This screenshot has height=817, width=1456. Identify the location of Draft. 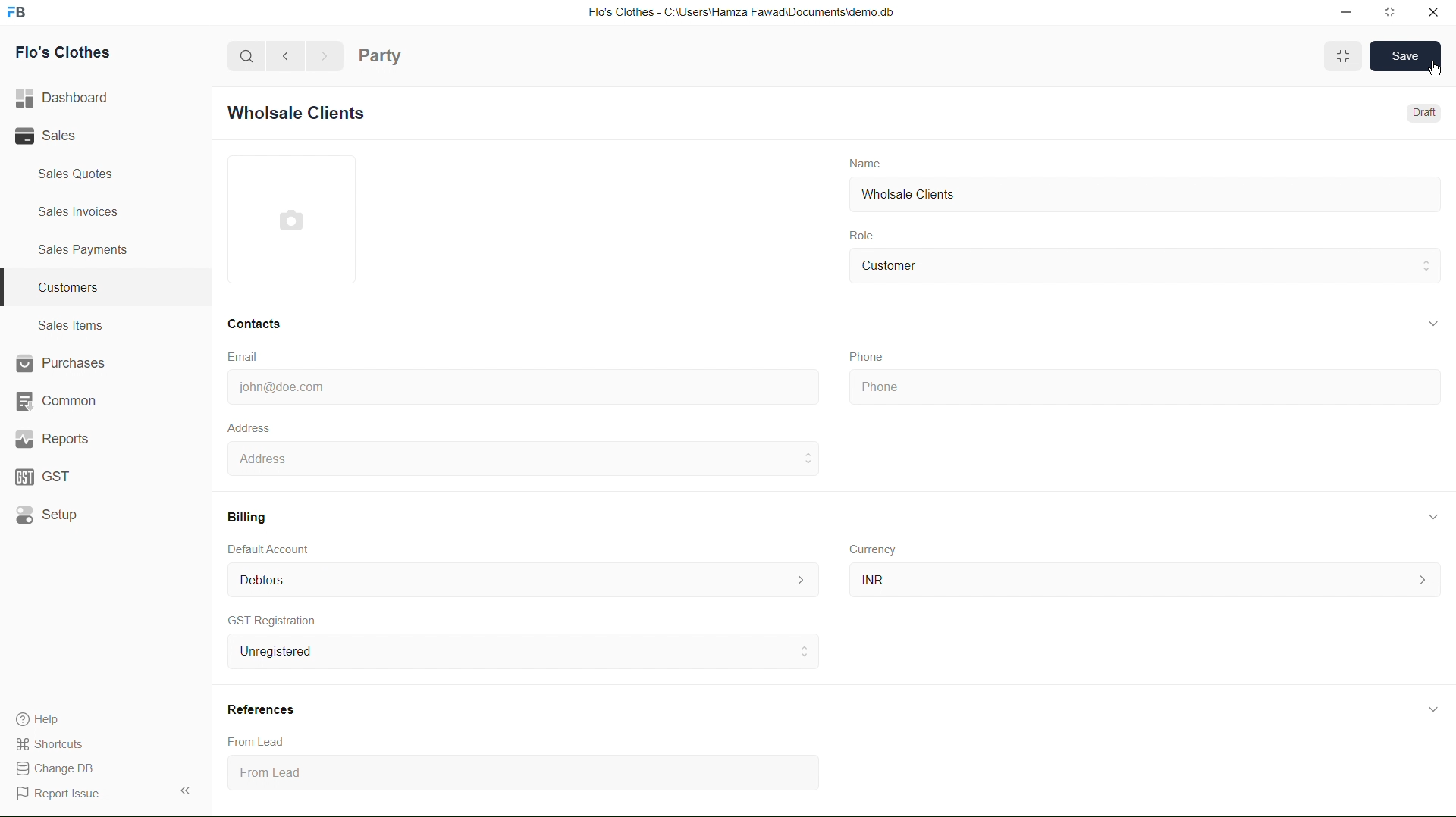
(1426, 111).